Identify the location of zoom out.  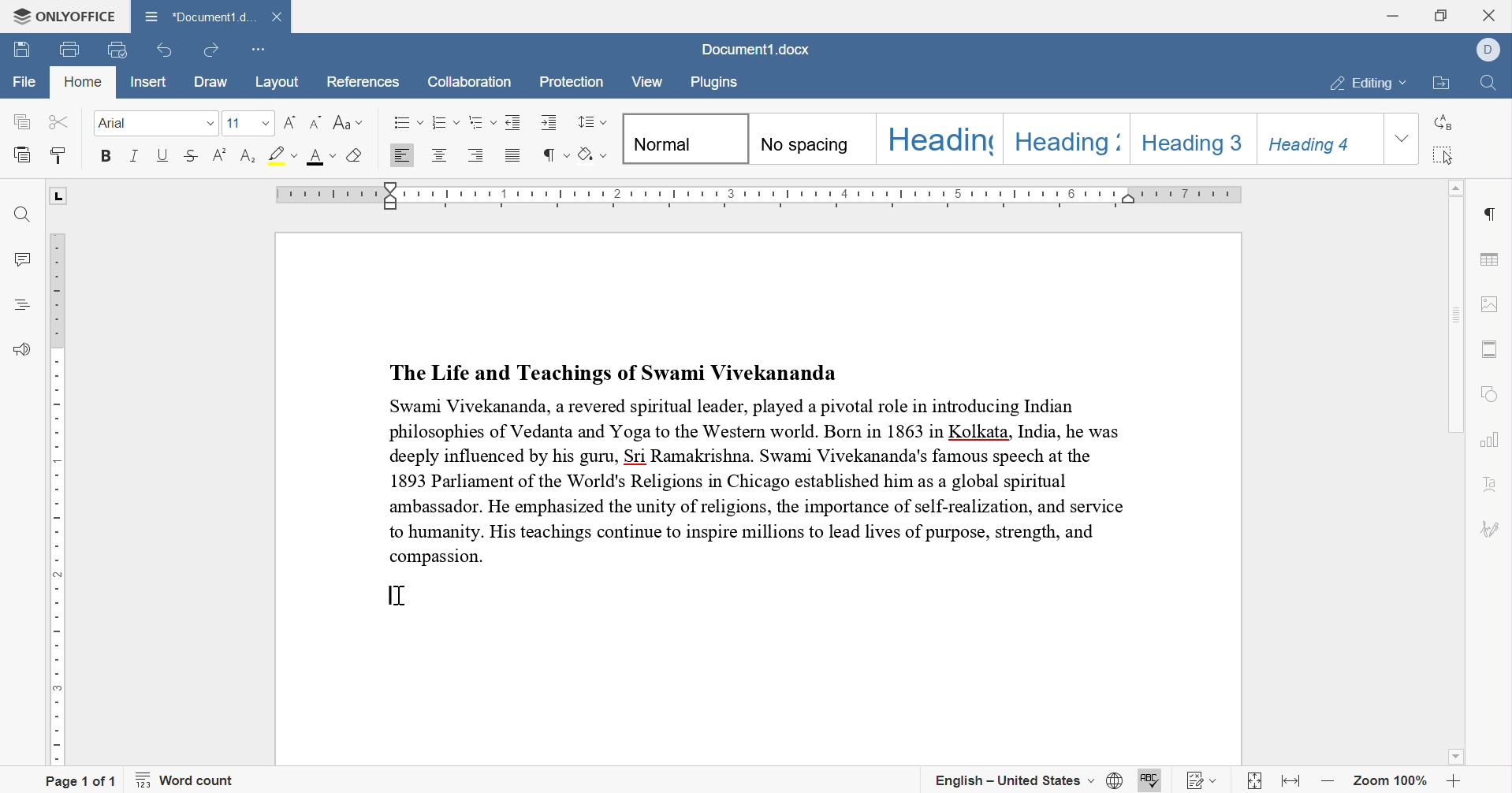
(1331, 784).